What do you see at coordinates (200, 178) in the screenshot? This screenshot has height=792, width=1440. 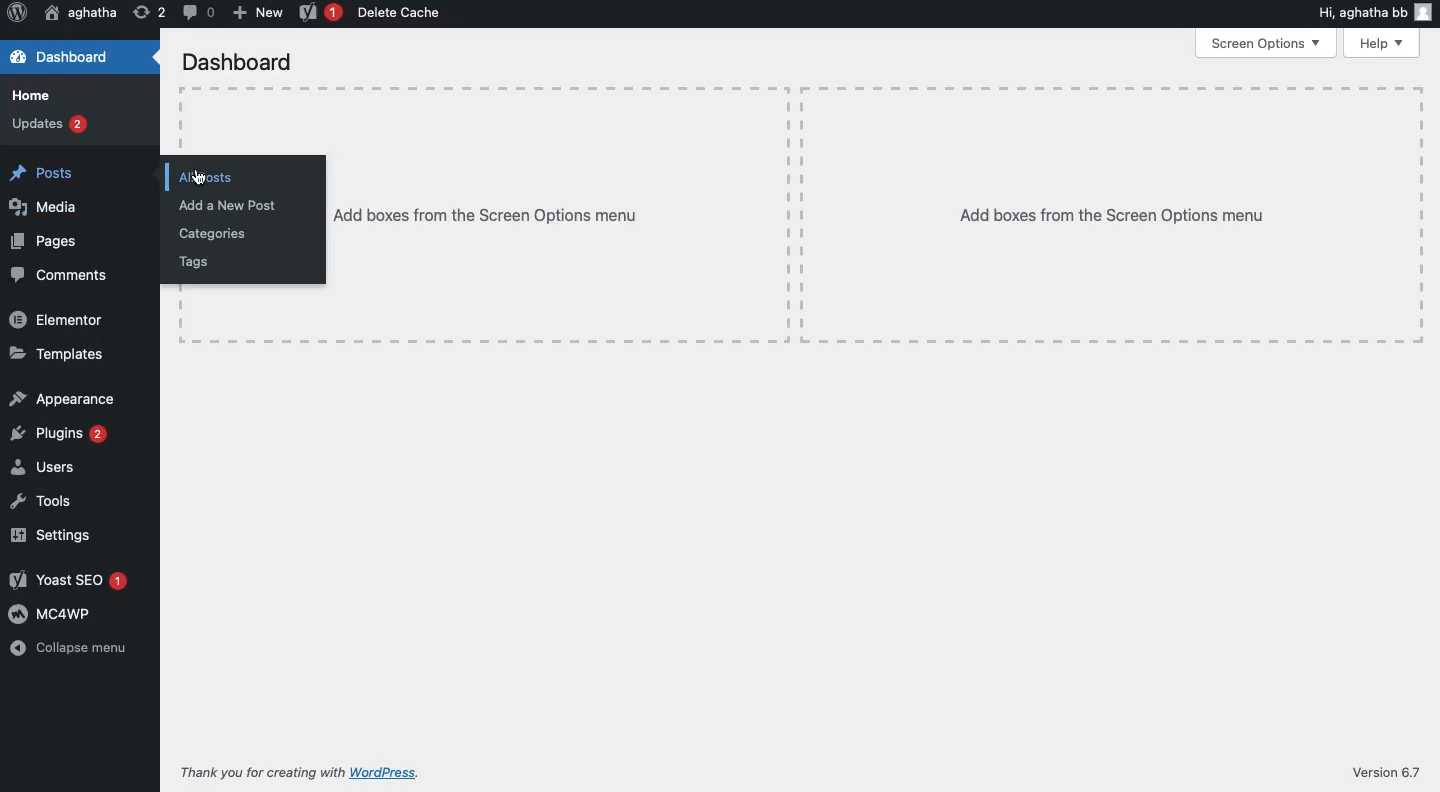 I see `Cursor` at bounding box center [200, 178].